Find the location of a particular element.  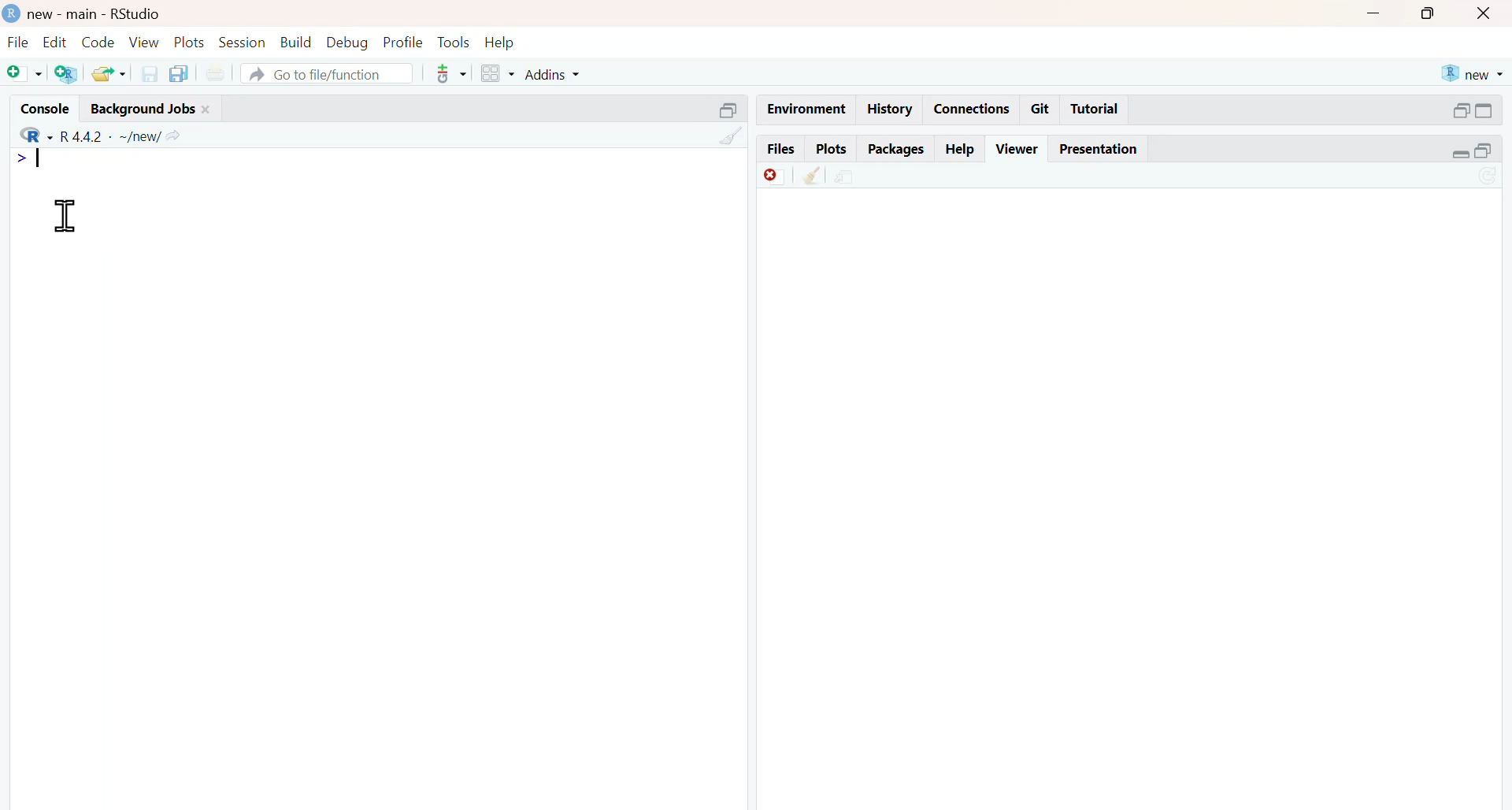

R 4.4.2 ~/new/ is located at coordinates (111, 137).